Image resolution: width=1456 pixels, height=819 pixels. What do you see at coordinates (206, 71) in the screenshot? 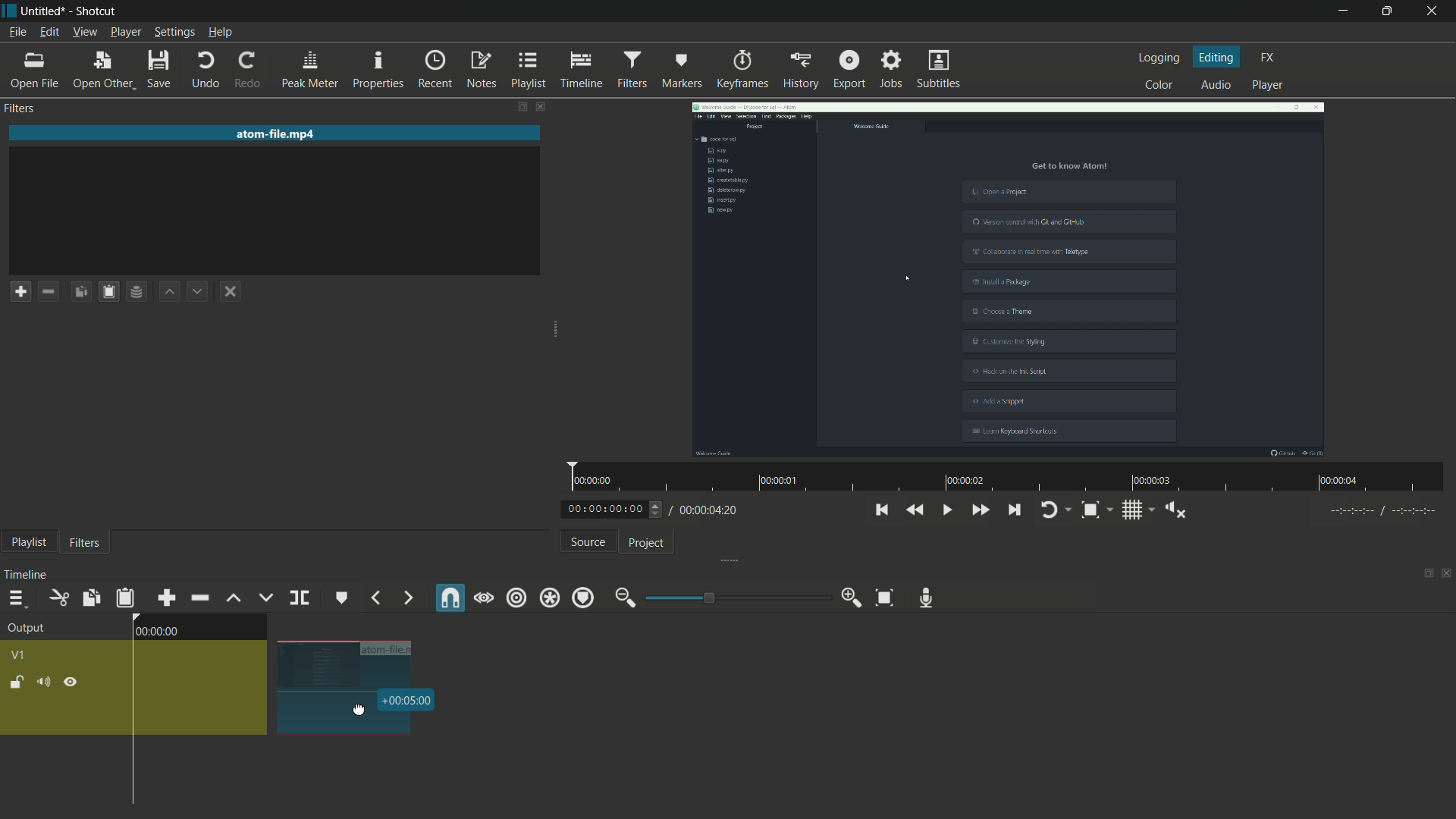
I see `undo` at bounding box center [206, 71].